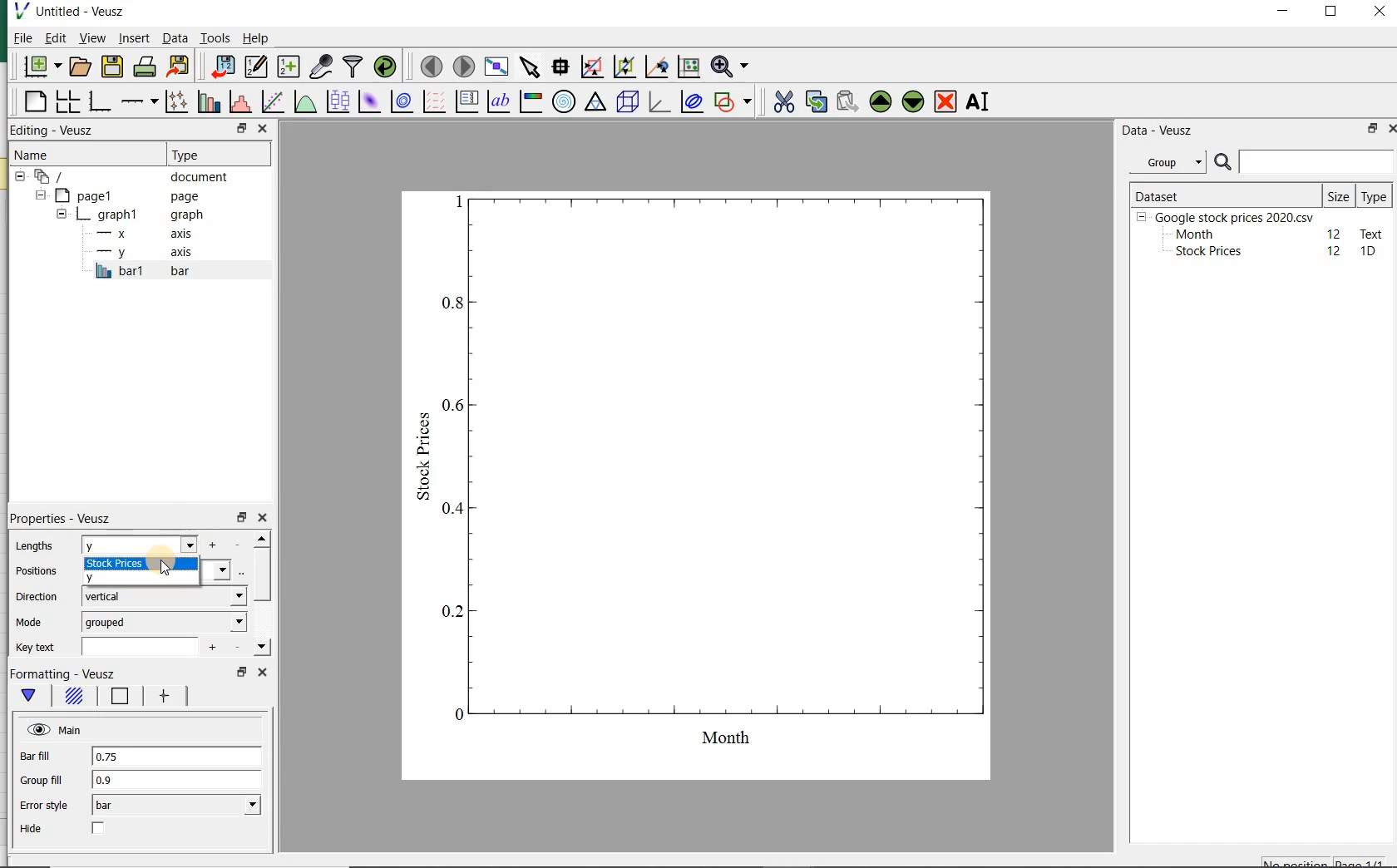  I want to click on base graph, so click(99, 102).